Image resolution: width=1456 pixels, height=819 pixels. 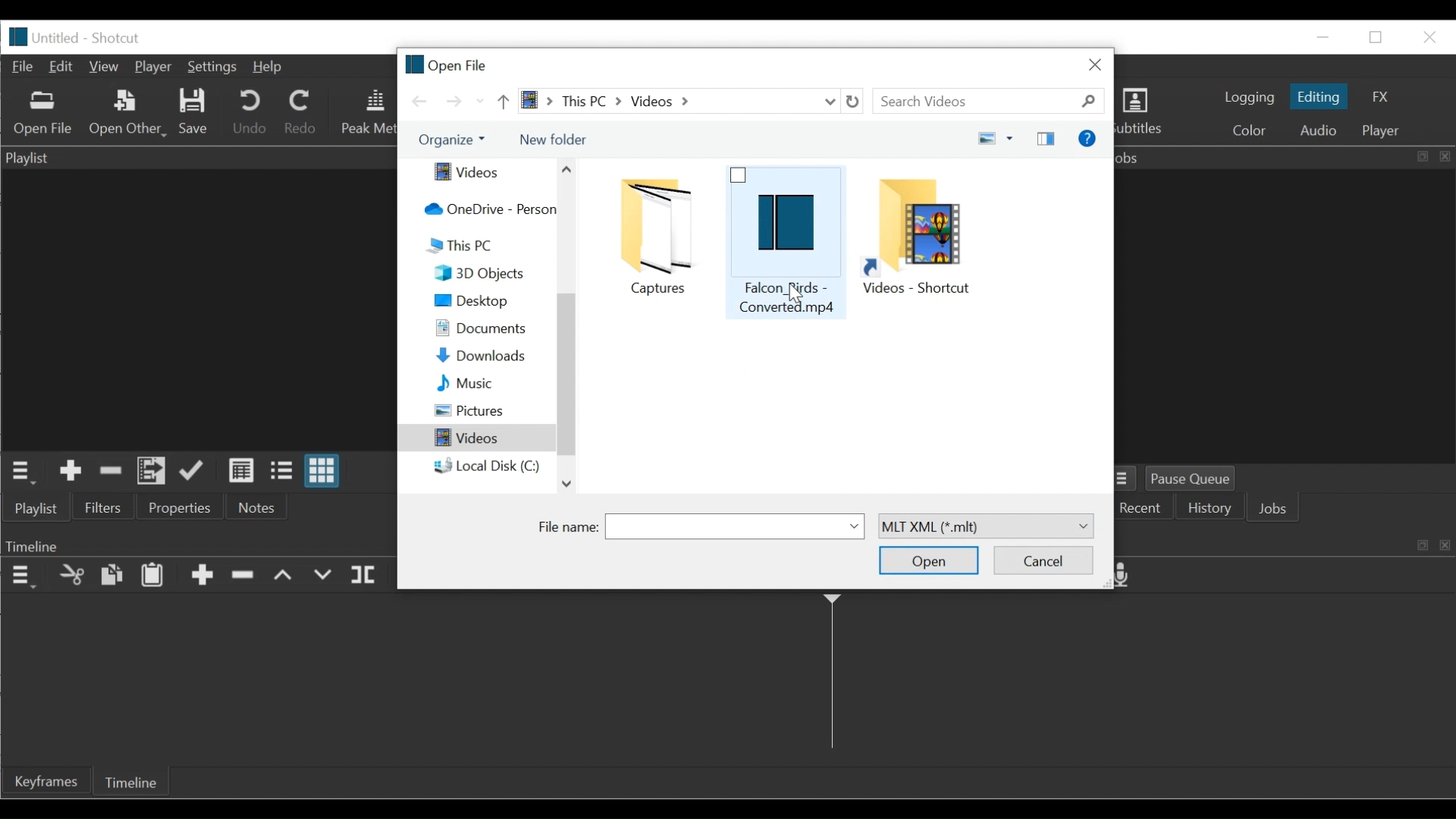 What do you see at coordinates (19, 37) in the screenshot?
I see `logo` at bounding box center [19, 37].